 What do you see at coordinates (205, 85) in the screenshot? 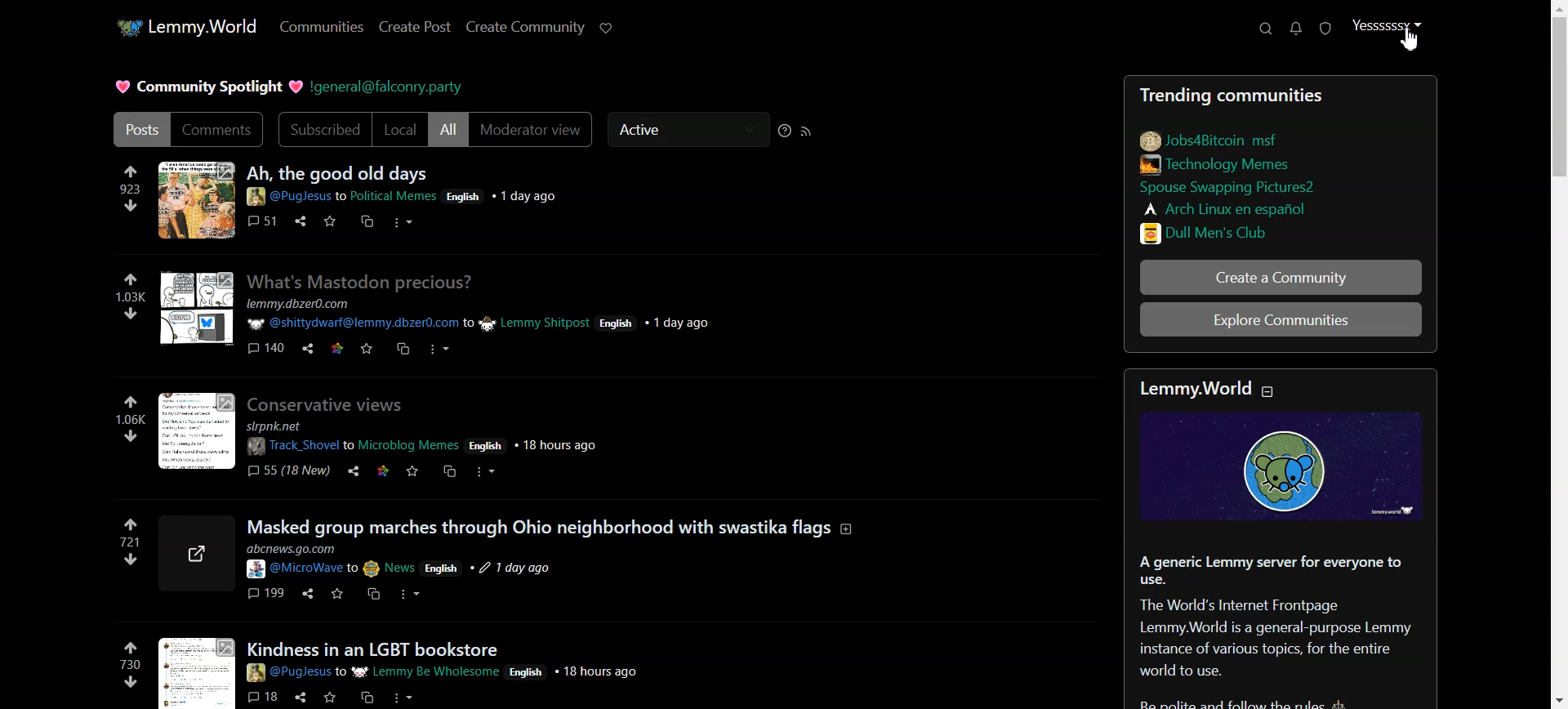
I see `Text` at bounding box center [205, 85].